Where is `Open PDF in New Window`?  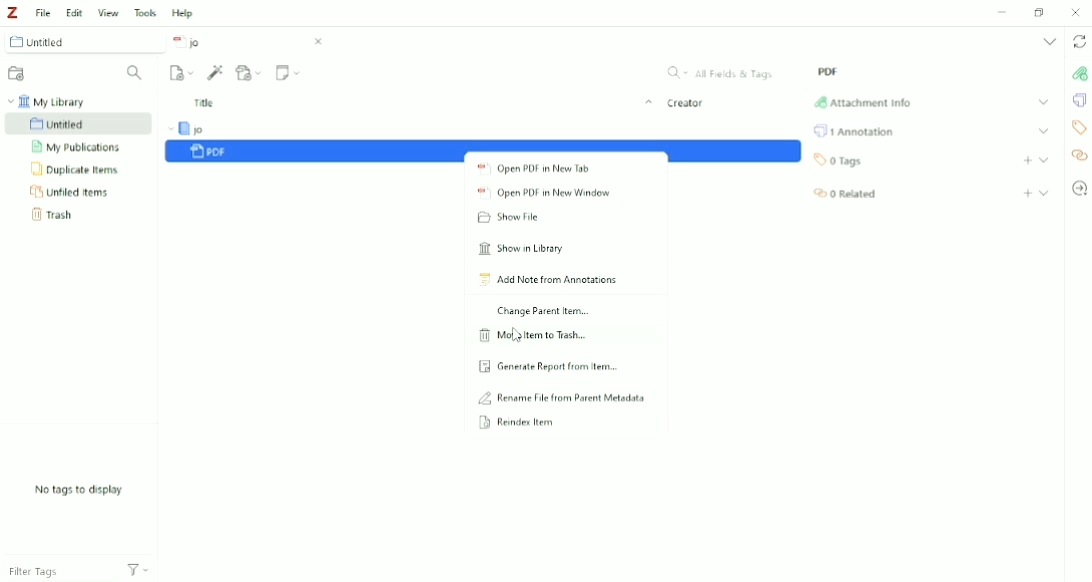 Open PDF in New Window is located at coordinates (546, 194).